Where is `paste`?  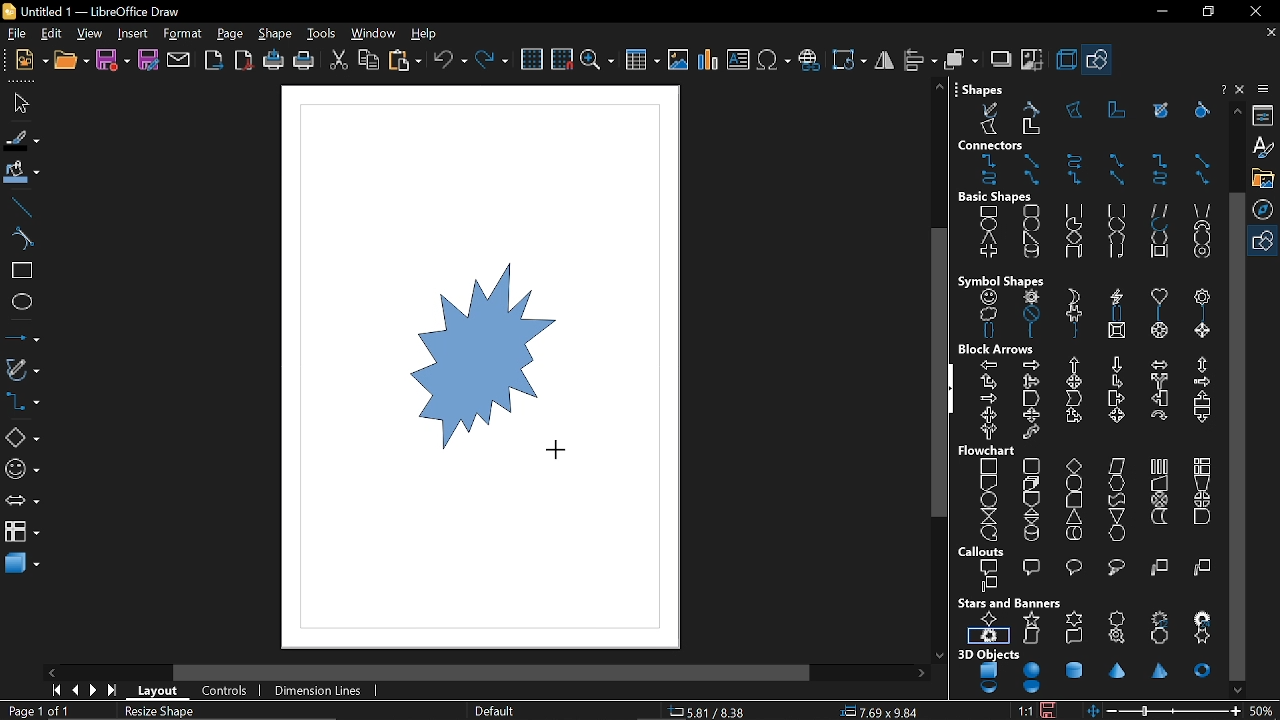 paste is located at coordinates (404, 60).